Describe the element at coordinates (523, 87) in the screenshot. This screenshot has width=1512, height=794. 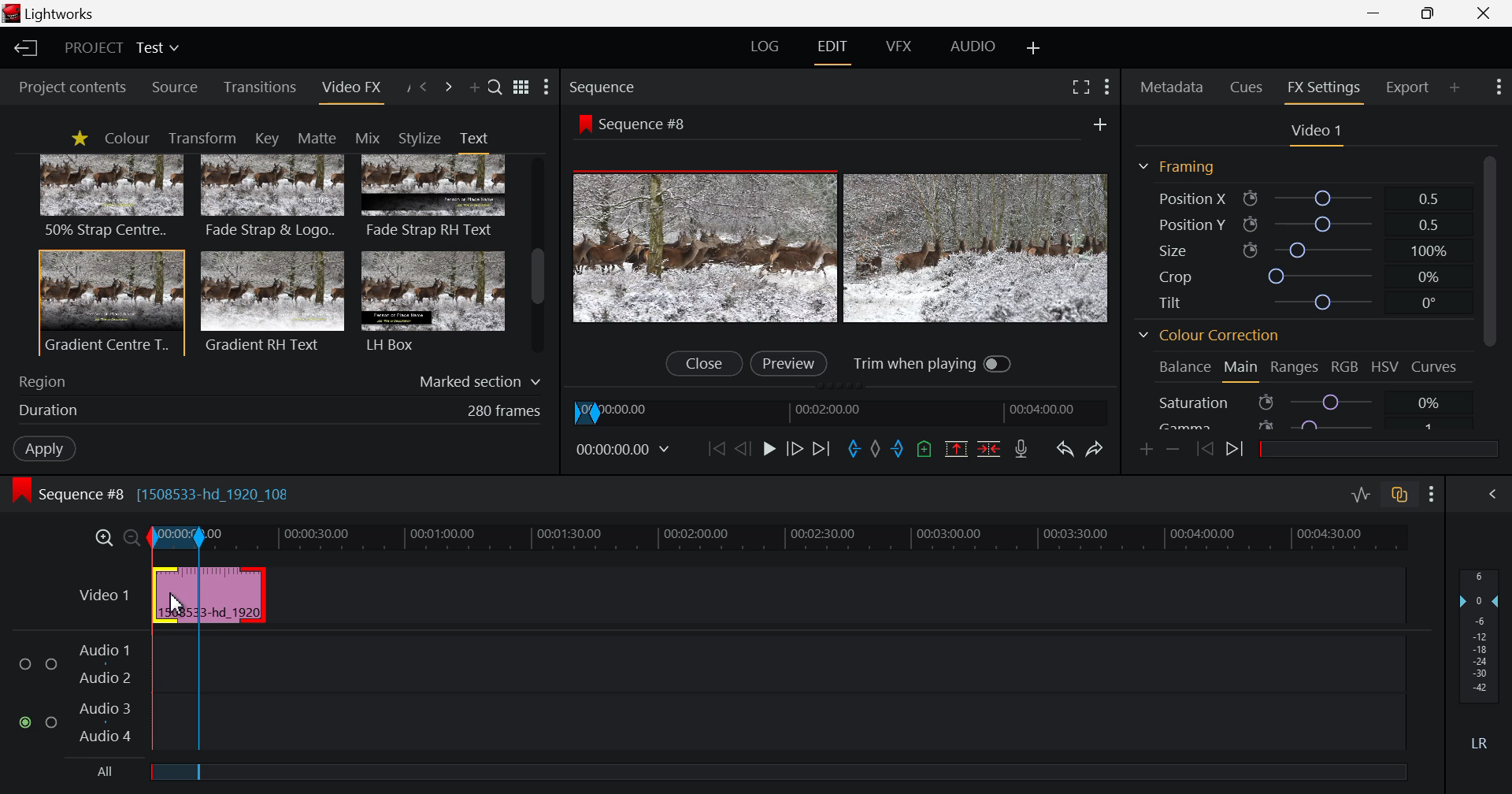
I see `Toggle between list and title views` at that location.